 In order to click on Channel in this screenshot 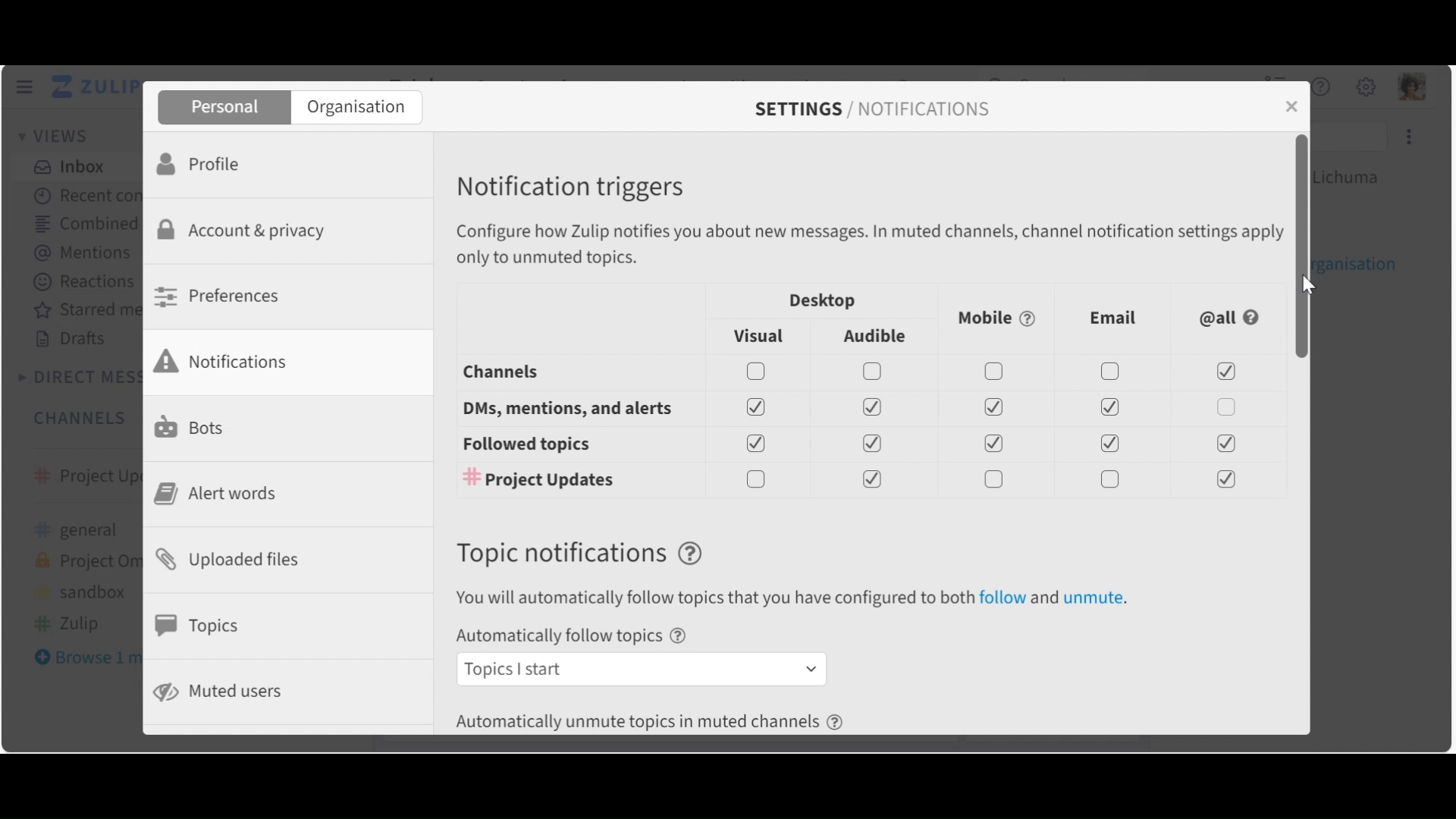, I will do `click(856, 372)`.